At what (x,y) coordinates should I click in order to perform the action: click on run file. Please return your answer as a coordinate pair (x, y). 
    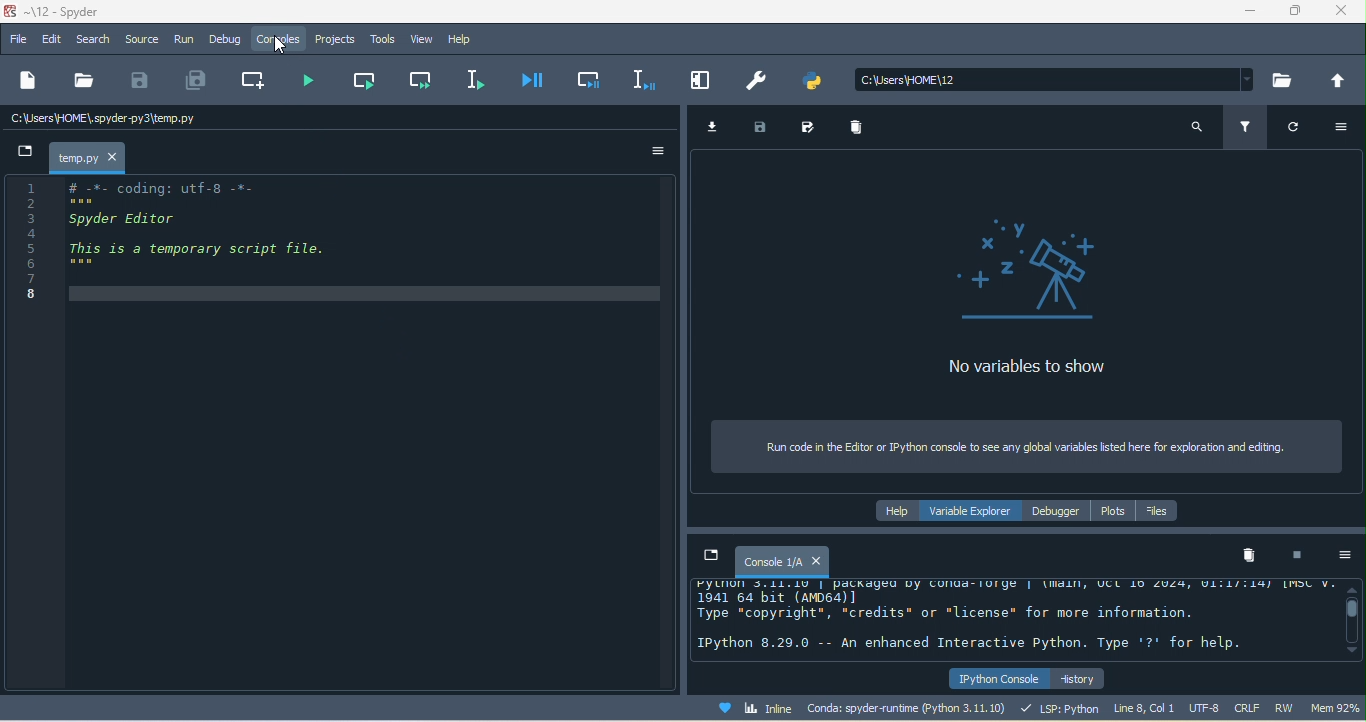
    Looking at the image, I should click on (310, 85).